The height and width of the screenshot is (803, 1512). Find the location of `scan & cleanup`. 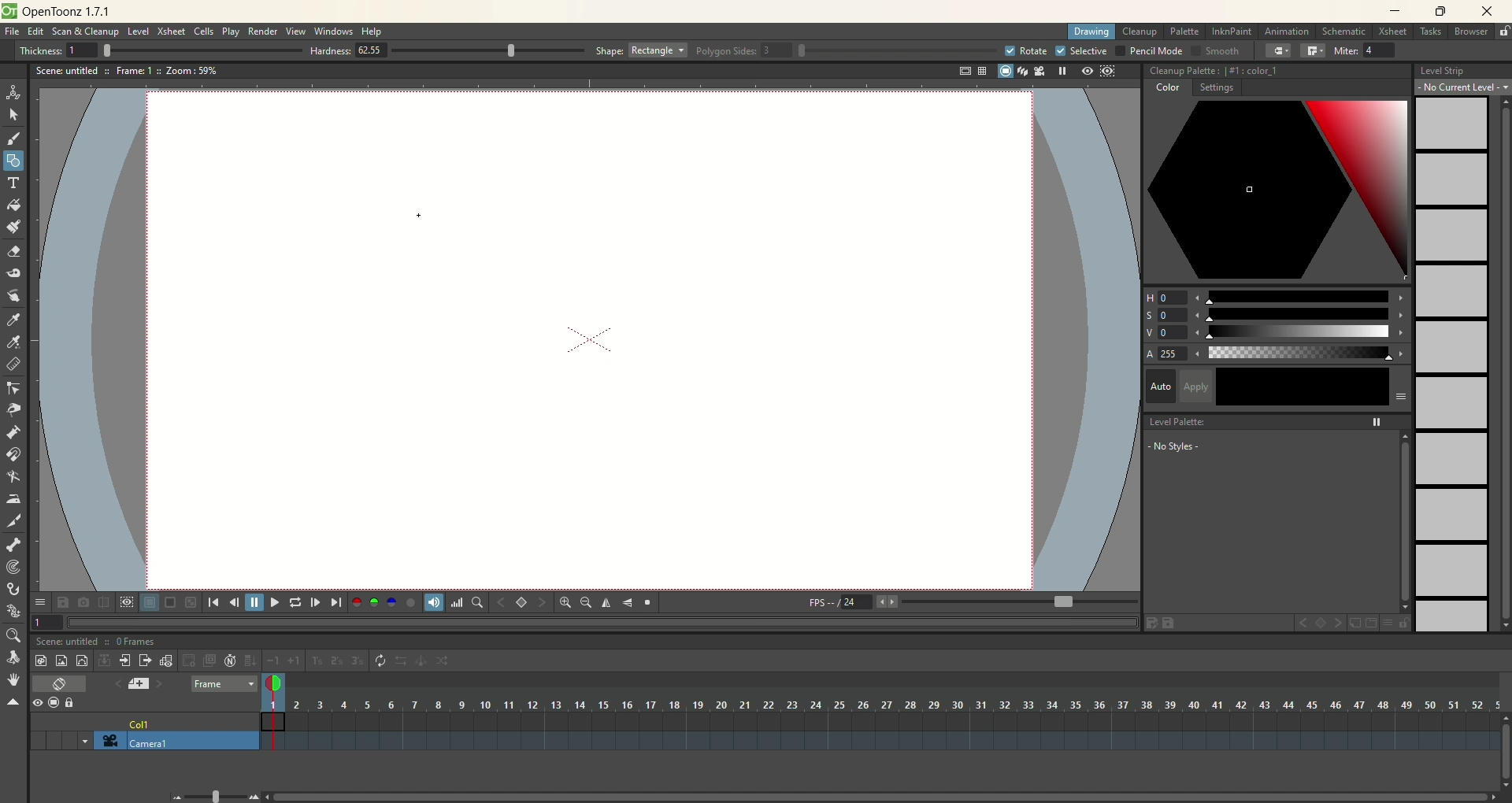

scan & cleanup is located at coordinates (91, 33).